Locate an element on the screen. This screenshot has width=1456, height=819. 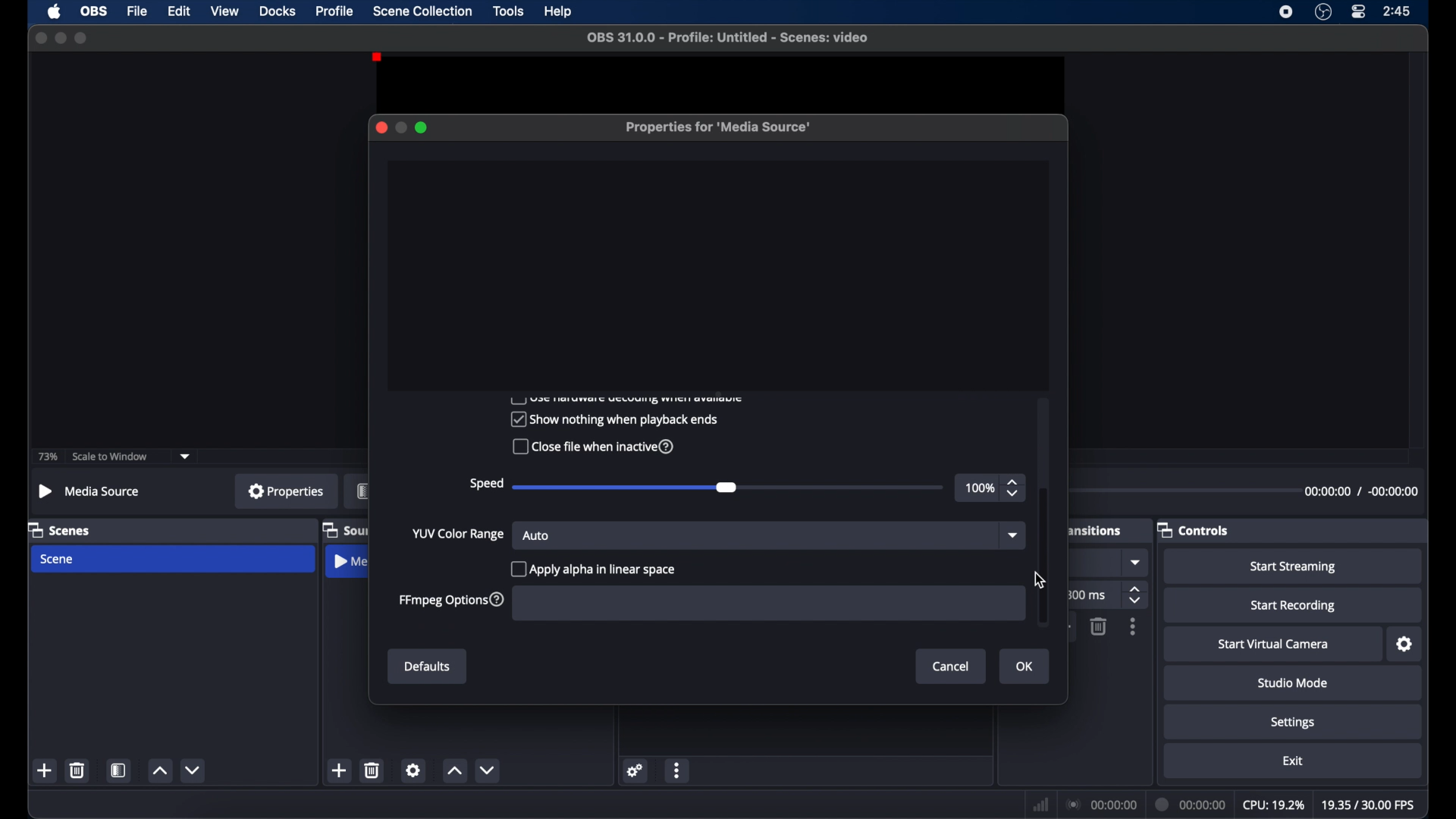
properties is located at coordinates (286, 491).